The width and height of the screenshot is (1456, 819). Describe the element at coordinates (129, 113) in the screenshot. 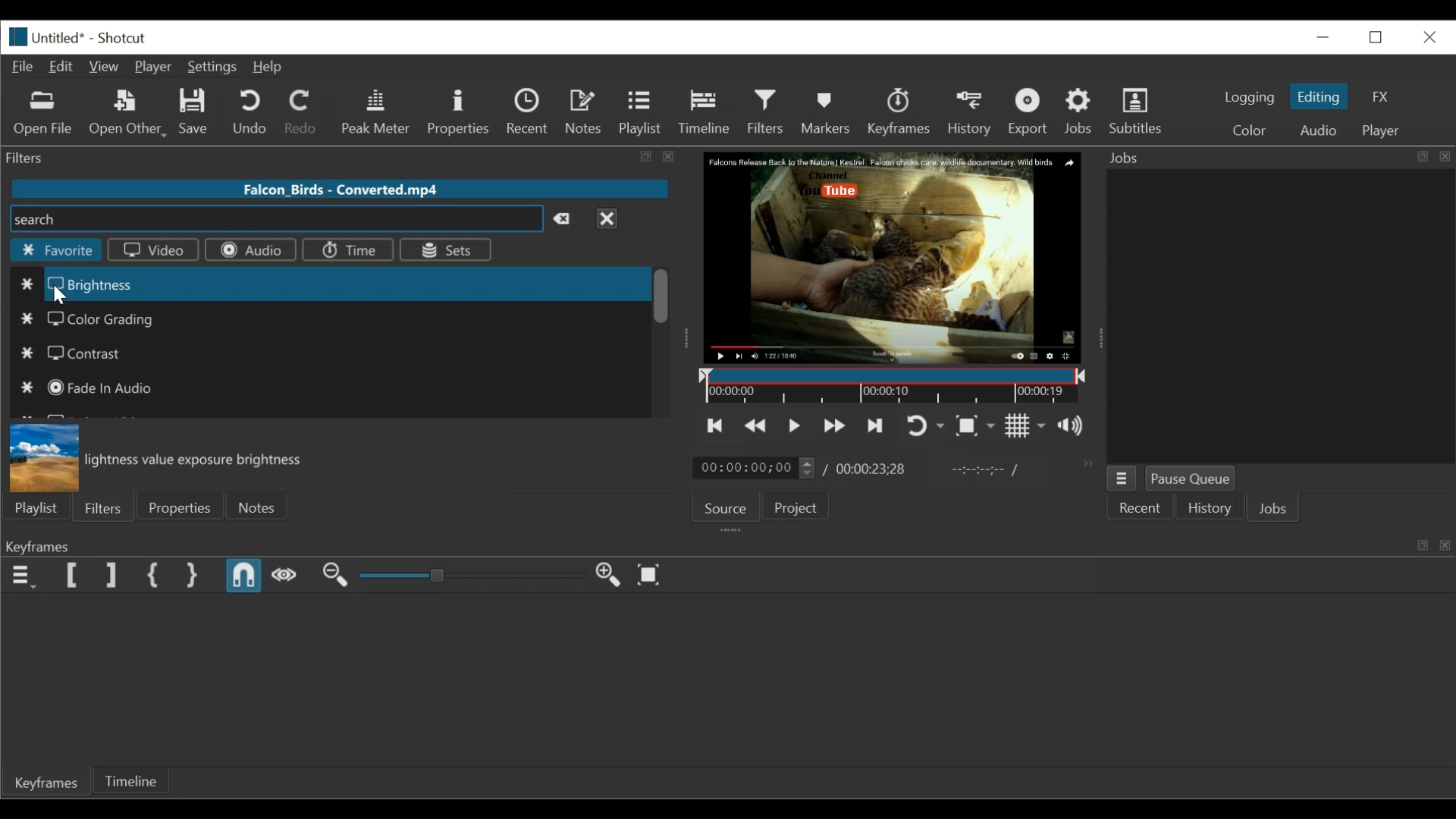

I see `Open Other` at that location.